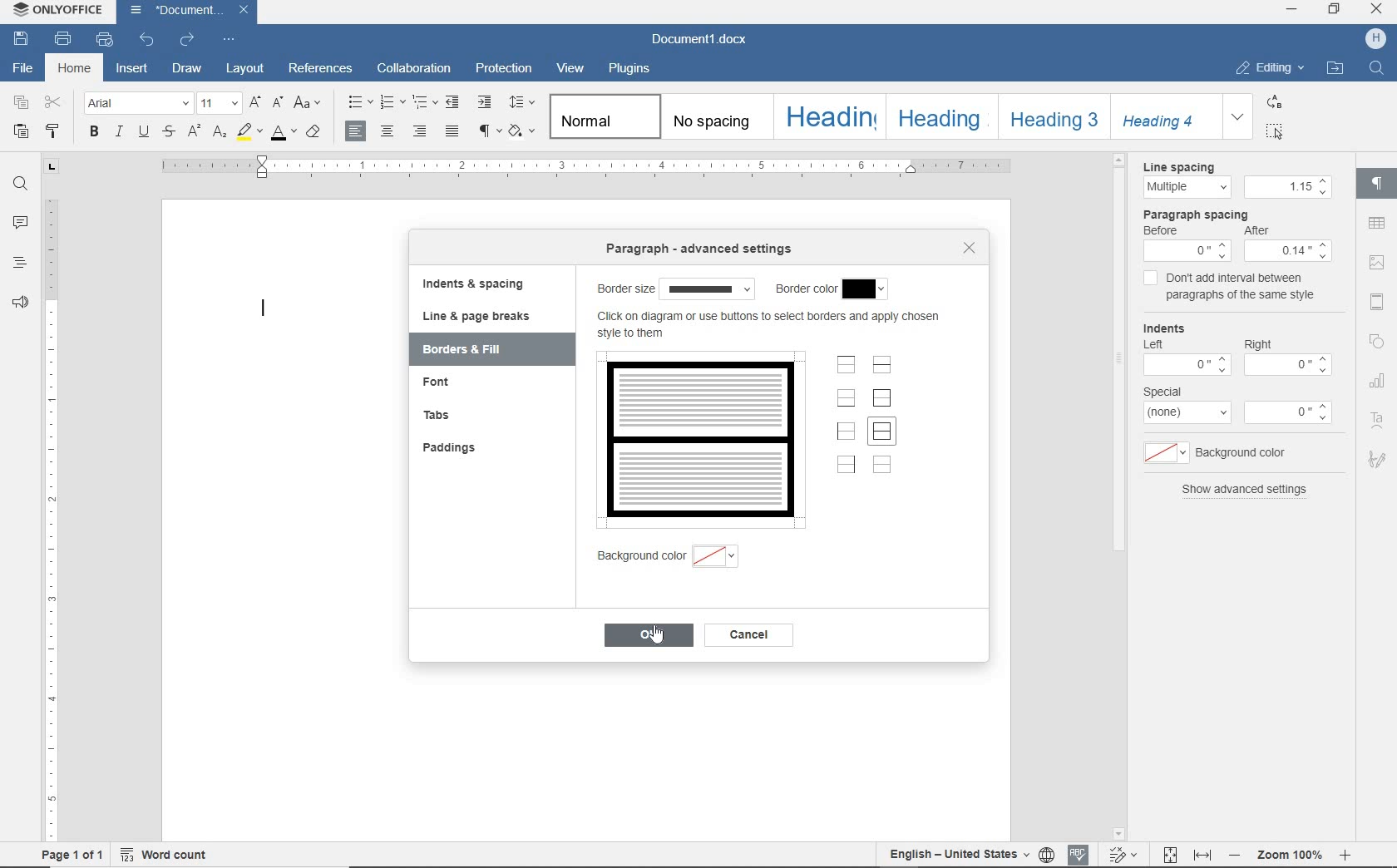 The width and height of the screenshot is (1397, 868). Describe the element at coordinates (189, 69) in the screenshot. I see `draw` at that location.